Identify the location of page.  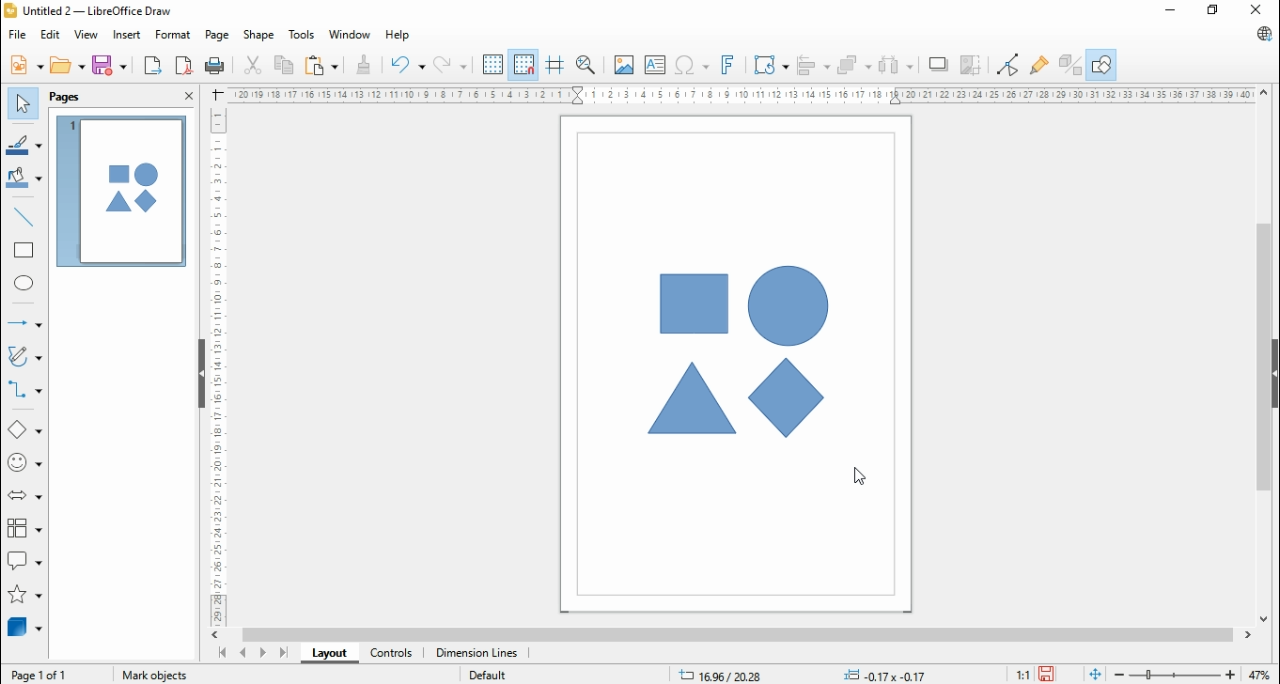
(216, 36).